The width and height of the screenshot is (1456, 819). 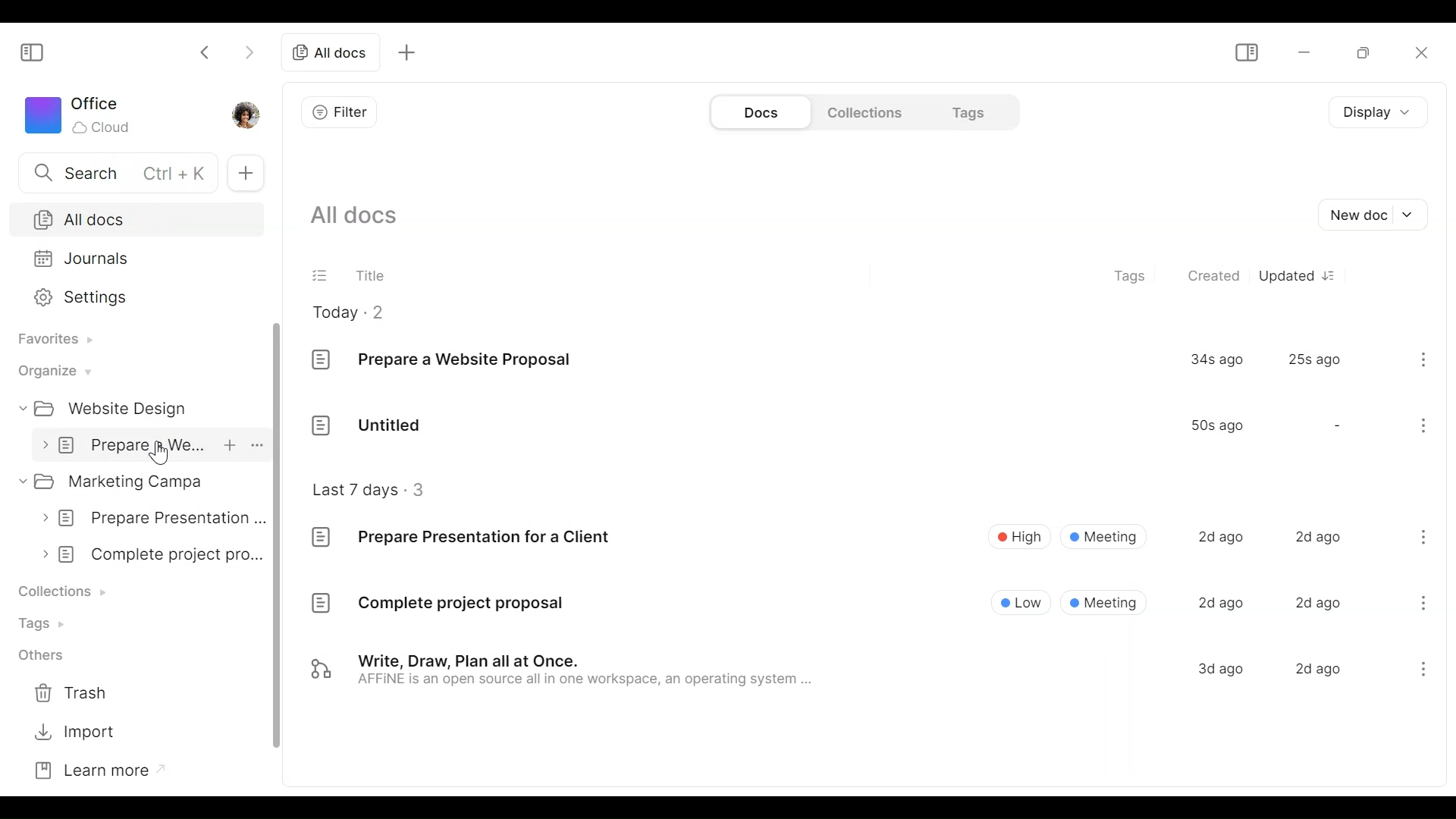 What do you see at coordinates (1307, 52) in the screenshot?
I see `minimize` at bounding box center [1307, 52].